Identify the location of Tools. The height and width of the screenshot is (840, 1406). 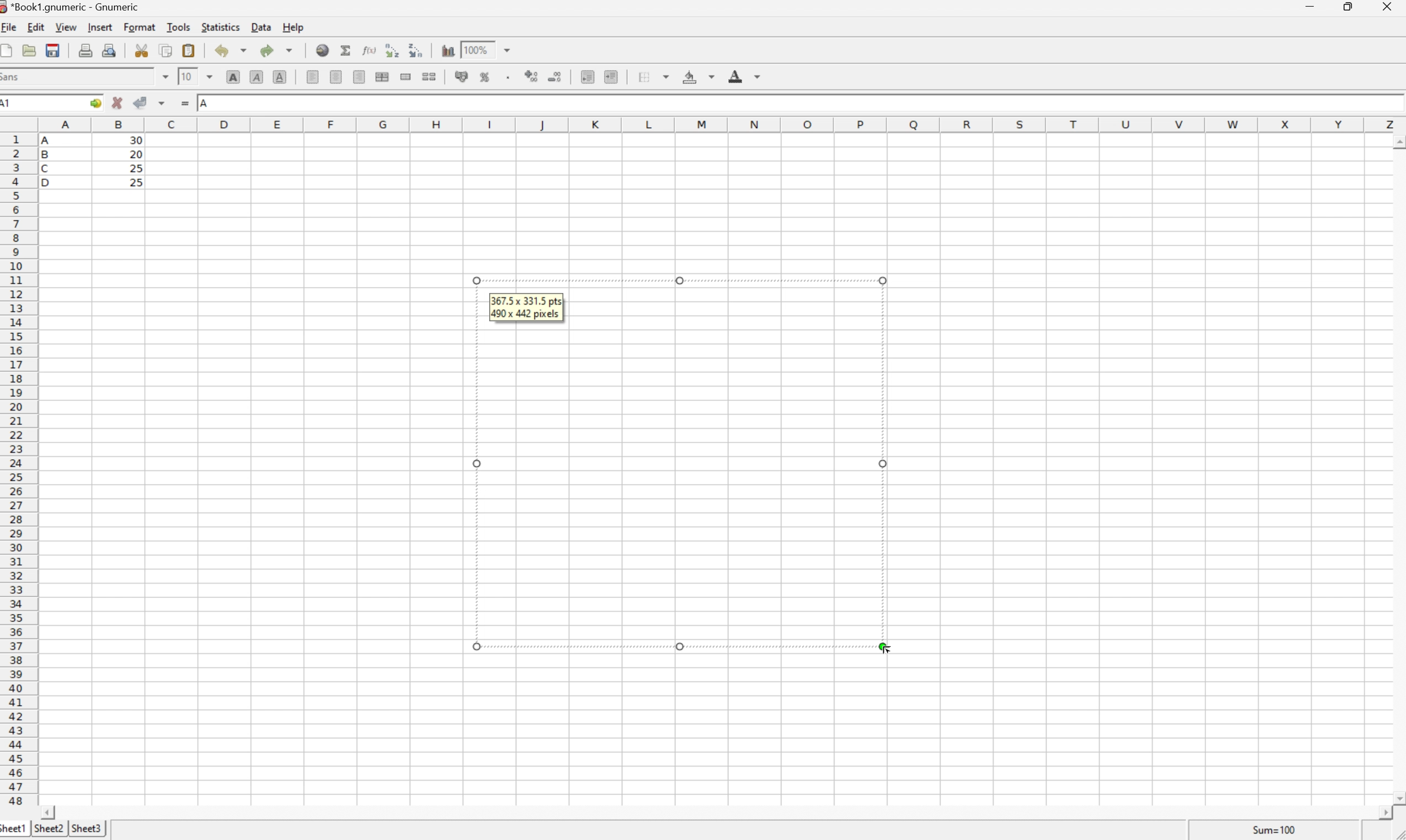
(178, 27).